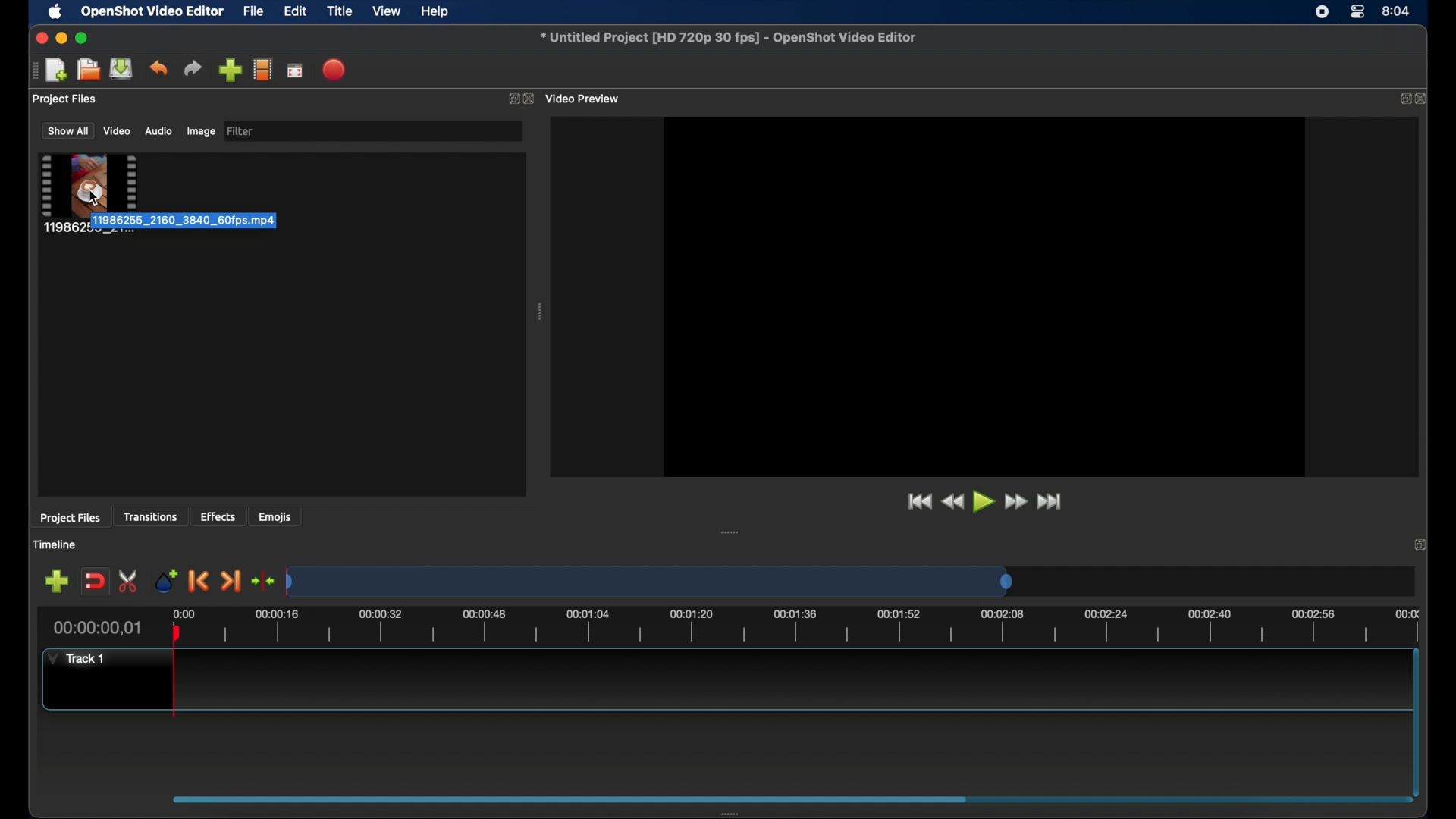 This screenshot has width=1456, height=819. Describe the element at coordinates (193, 67) in the screenshot. I see `redo` at that location.